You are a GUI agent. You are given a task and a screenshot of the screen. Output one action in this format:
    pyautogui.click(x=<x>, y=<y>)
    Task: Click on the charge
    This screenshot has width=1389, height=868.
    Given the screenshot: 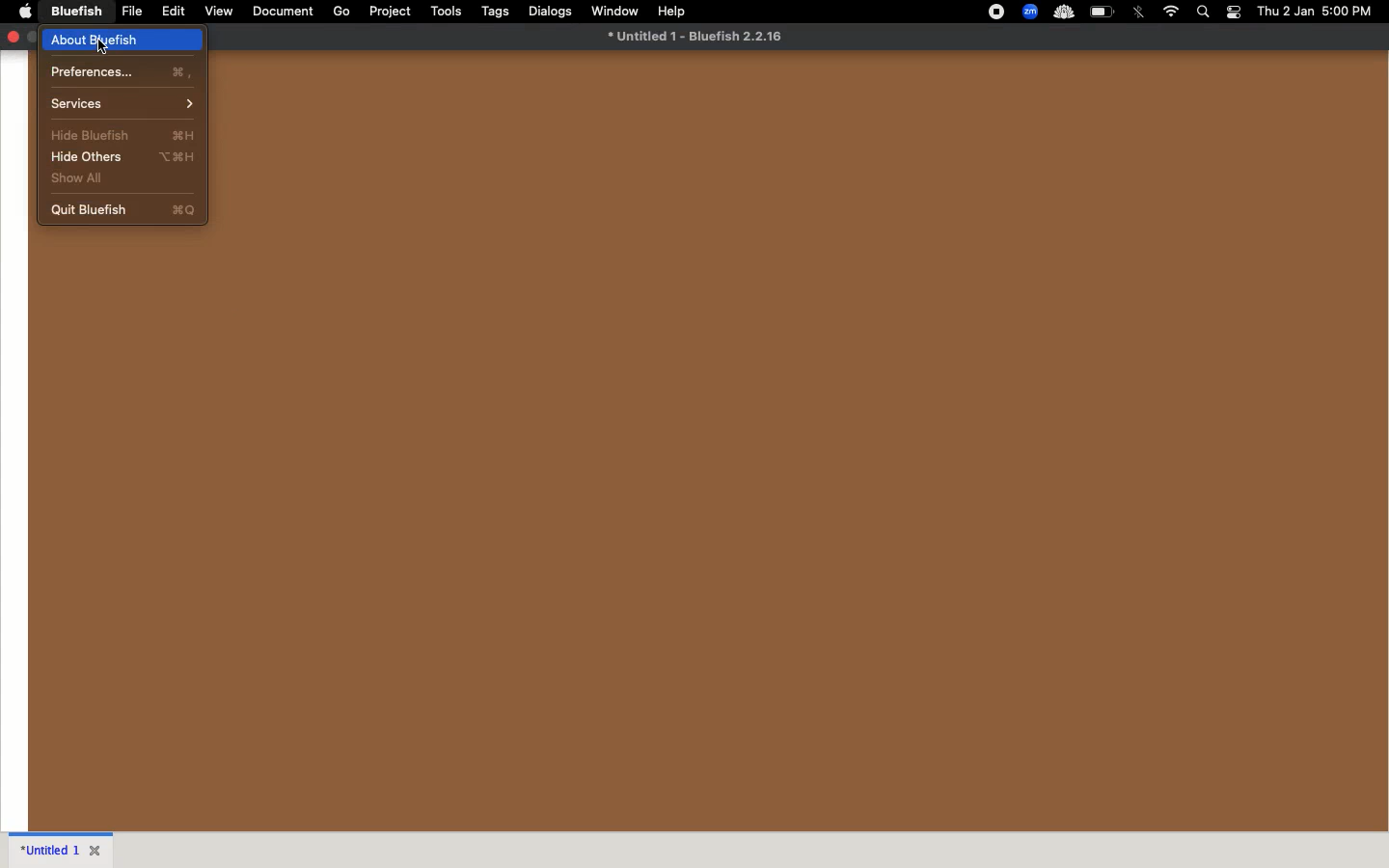 What is the action you would take?
    pyautogui.click(x=1103, y=12)
    